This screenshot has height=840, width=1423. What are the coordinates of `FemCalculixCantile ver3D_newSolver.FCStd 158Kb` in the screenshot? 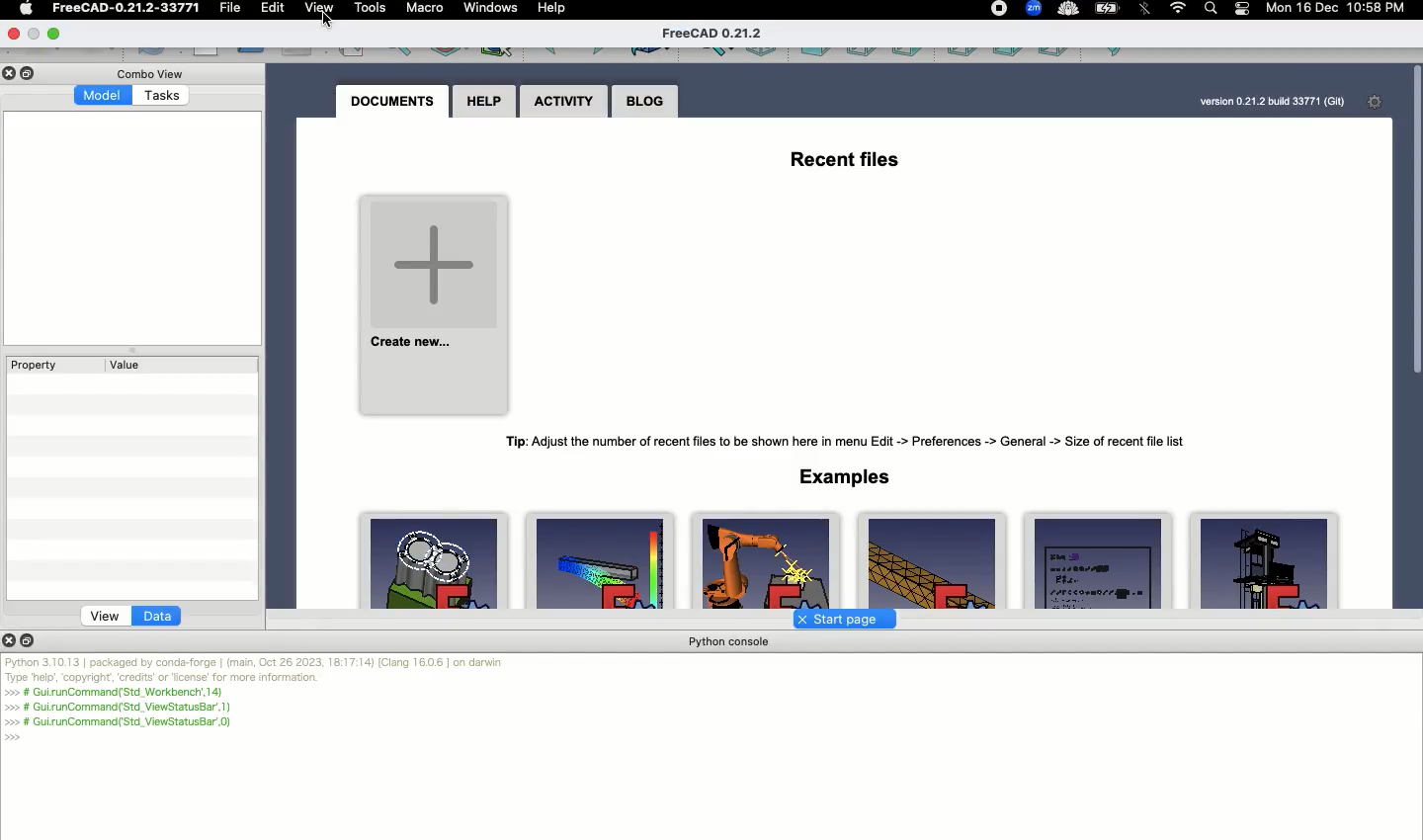 It's located at (932, 560).